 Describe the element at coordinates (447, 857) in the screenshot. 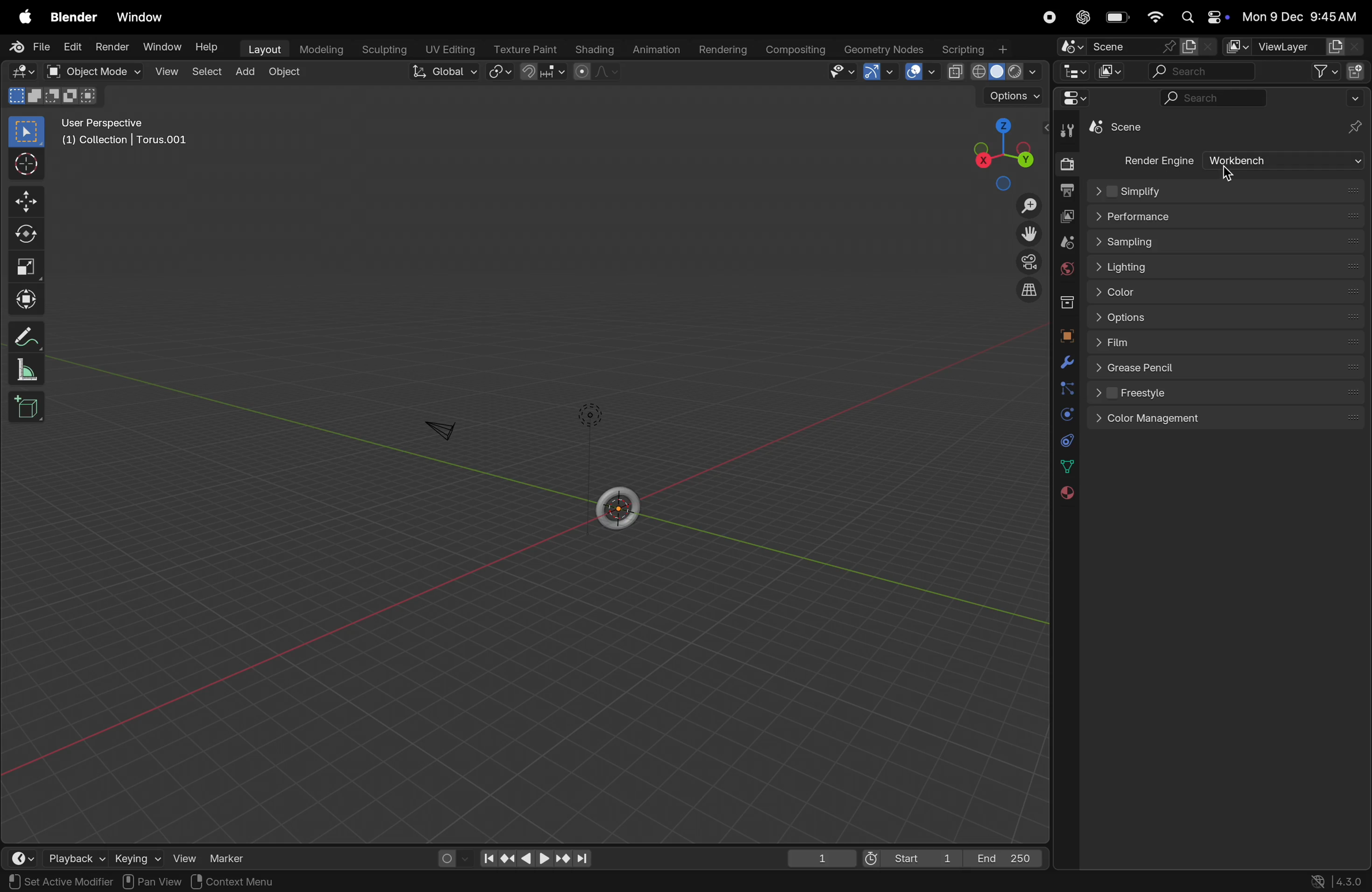

I see `auto keying` at that location.